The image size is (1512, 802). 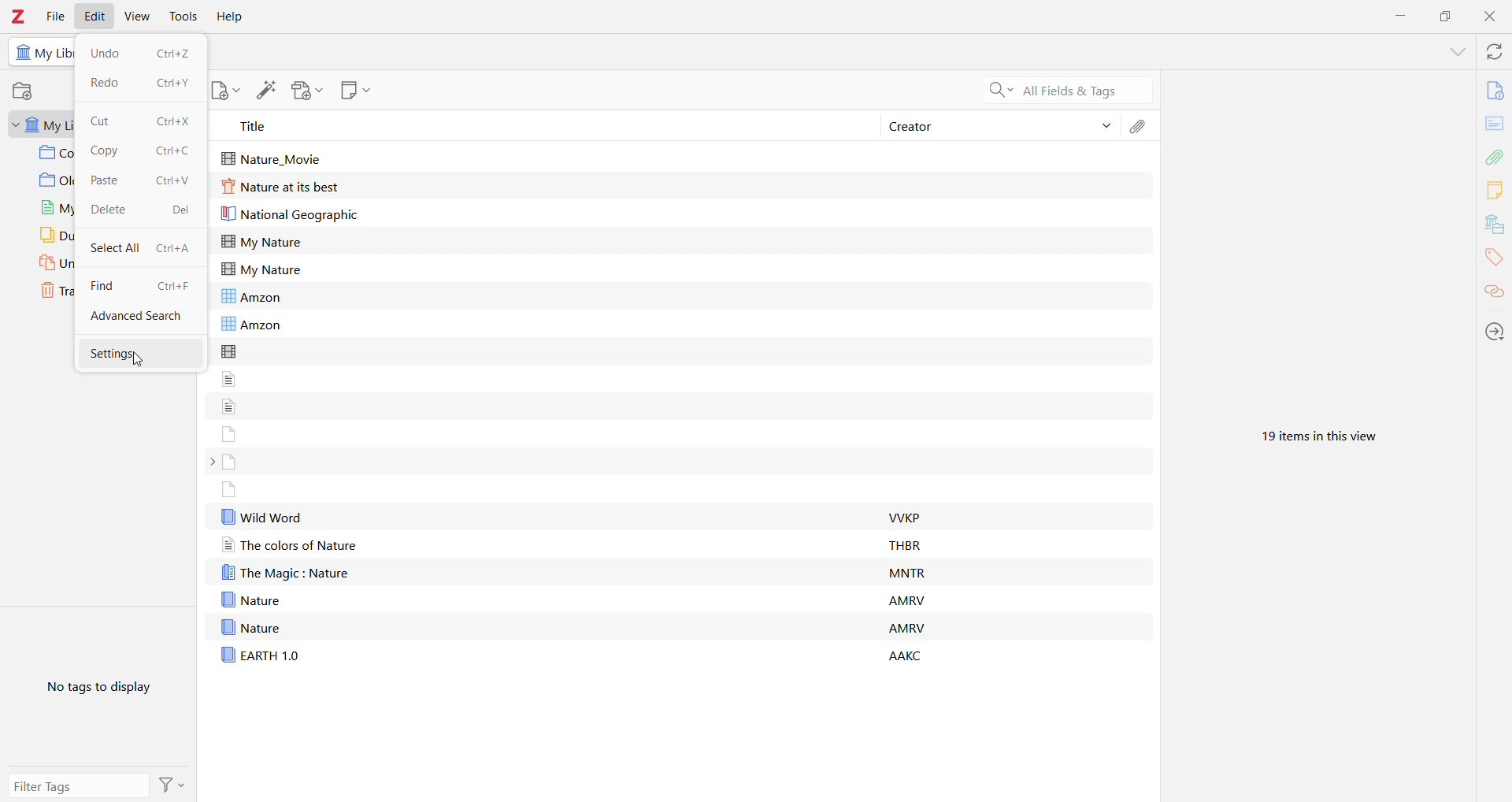 What do you see at coordinates (141, 351) in the screenshot?
I see `Settings` at bounding box center [141, 351].